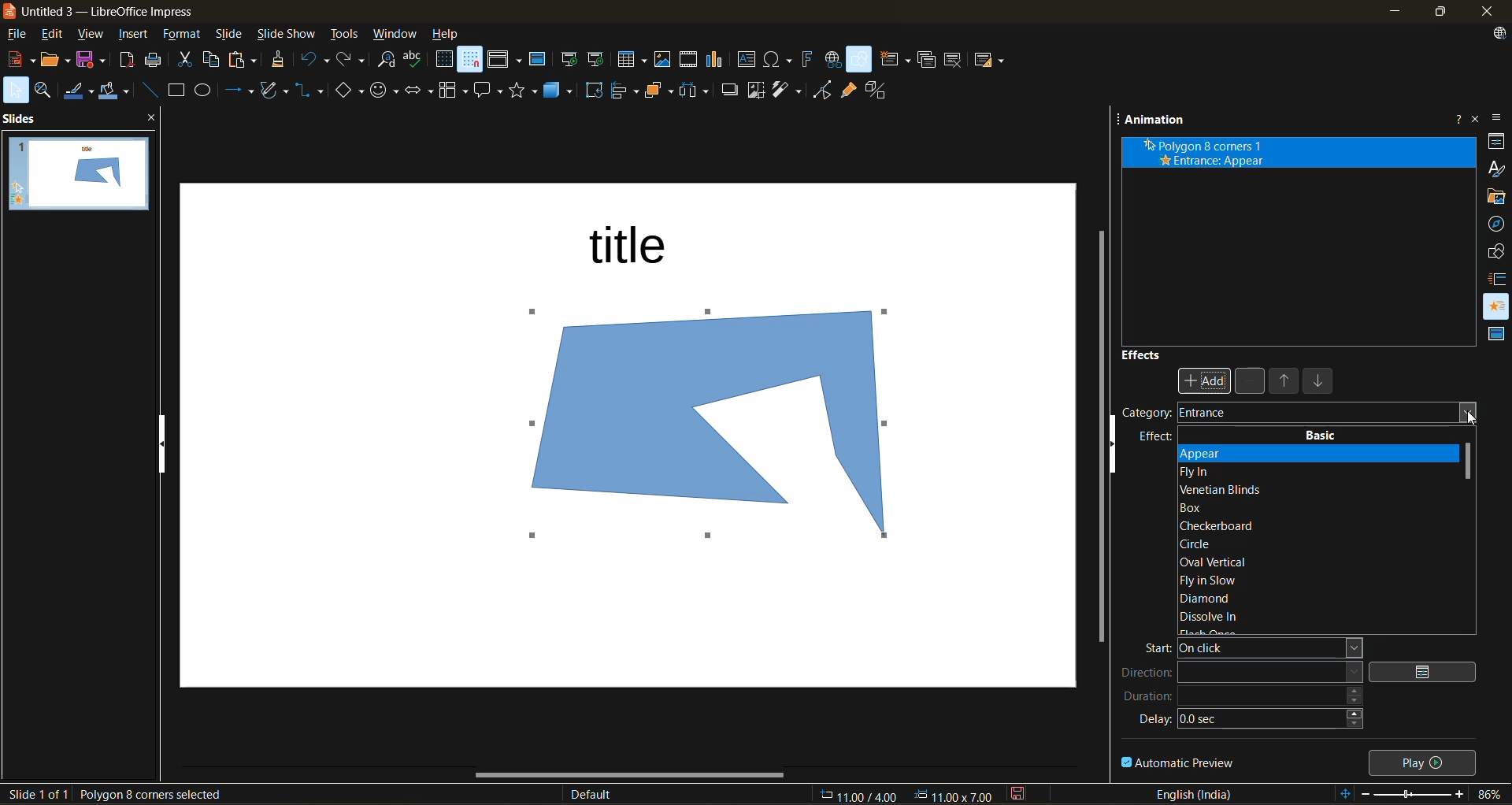 This screenshot has height=805, width=1512. Describe the element at coordinates (714, 60) in the screenshot. I see `insert chart` at that location.